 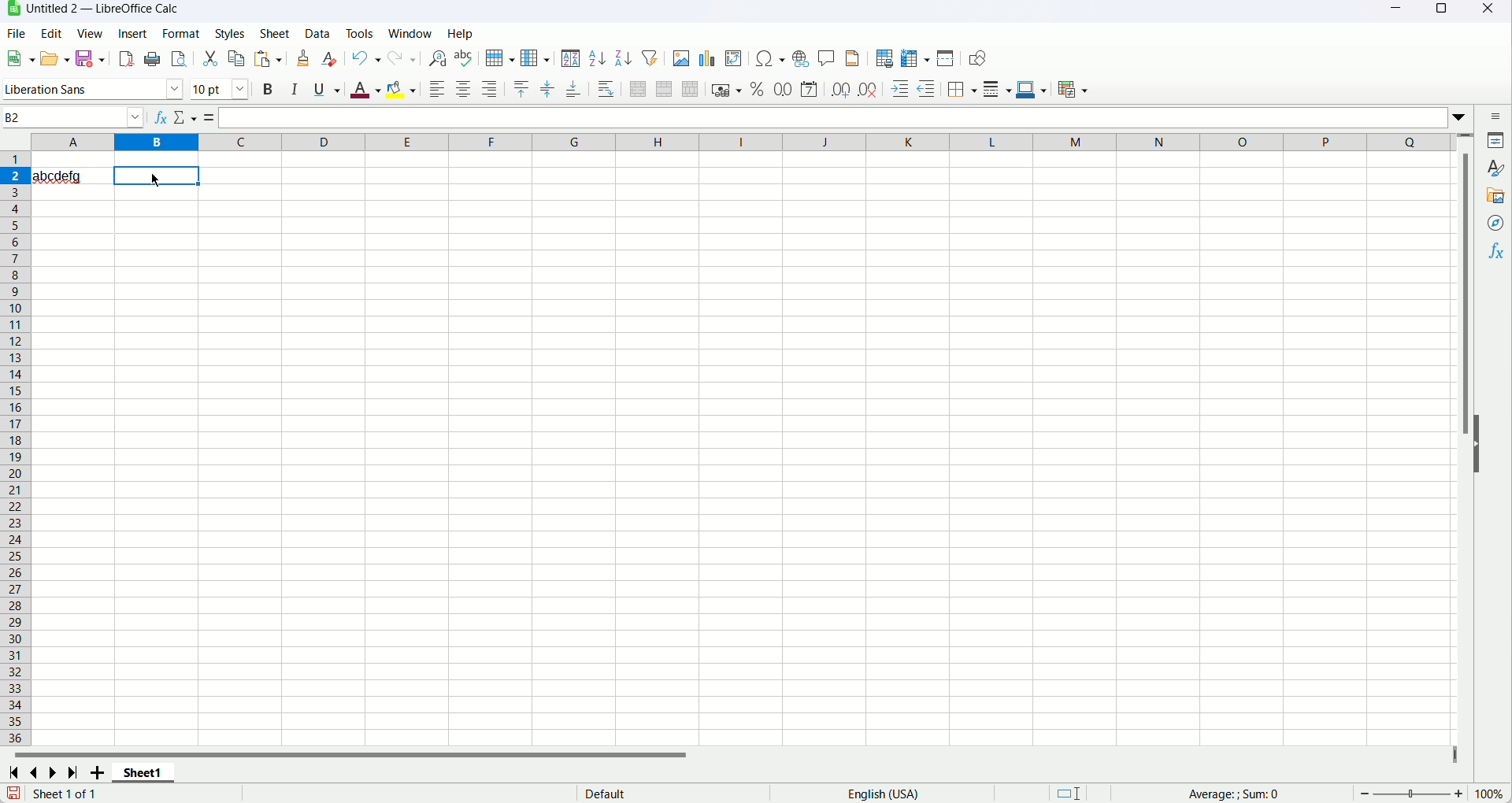 I want to click on zoom out, so click(x=1366, y=794).